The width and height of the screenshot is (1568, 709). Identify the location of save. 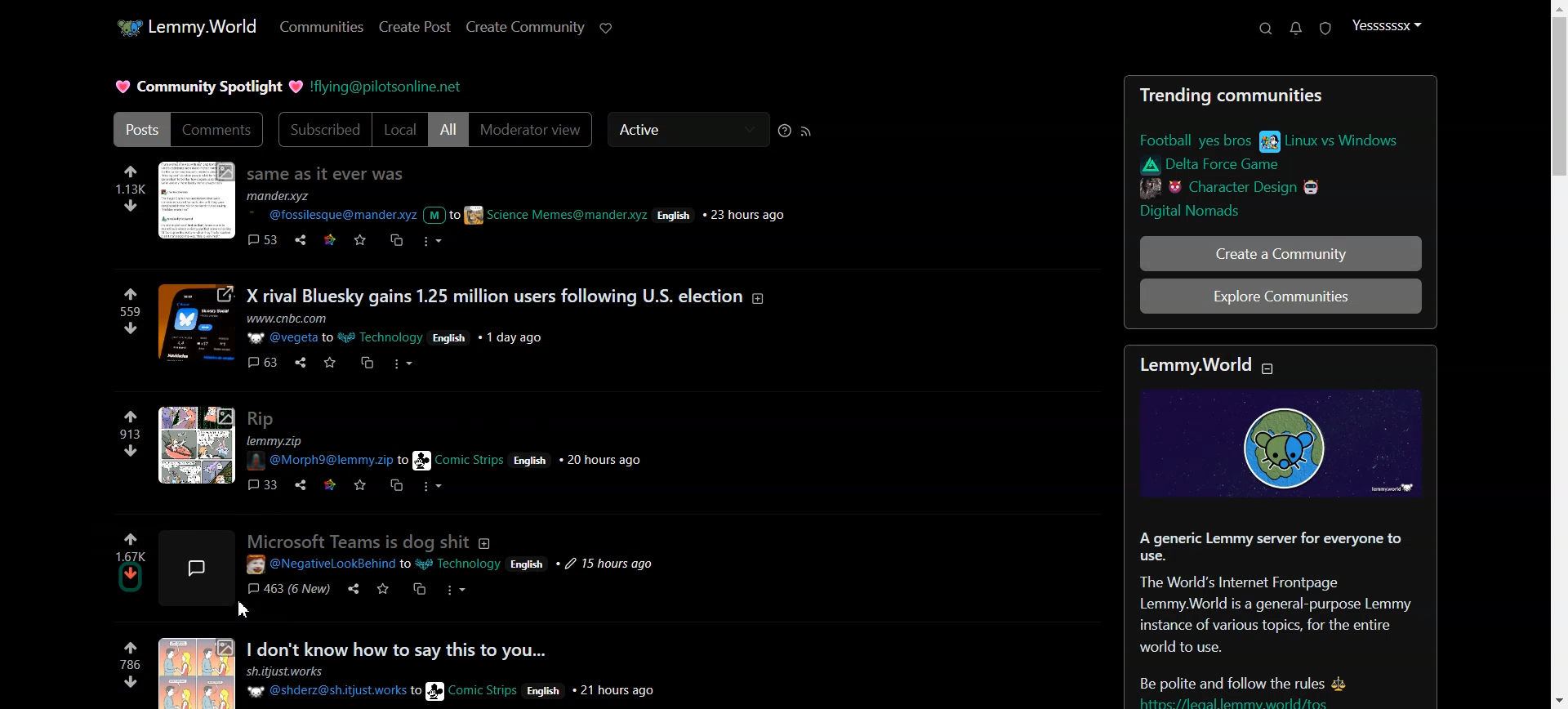
(360, 486).